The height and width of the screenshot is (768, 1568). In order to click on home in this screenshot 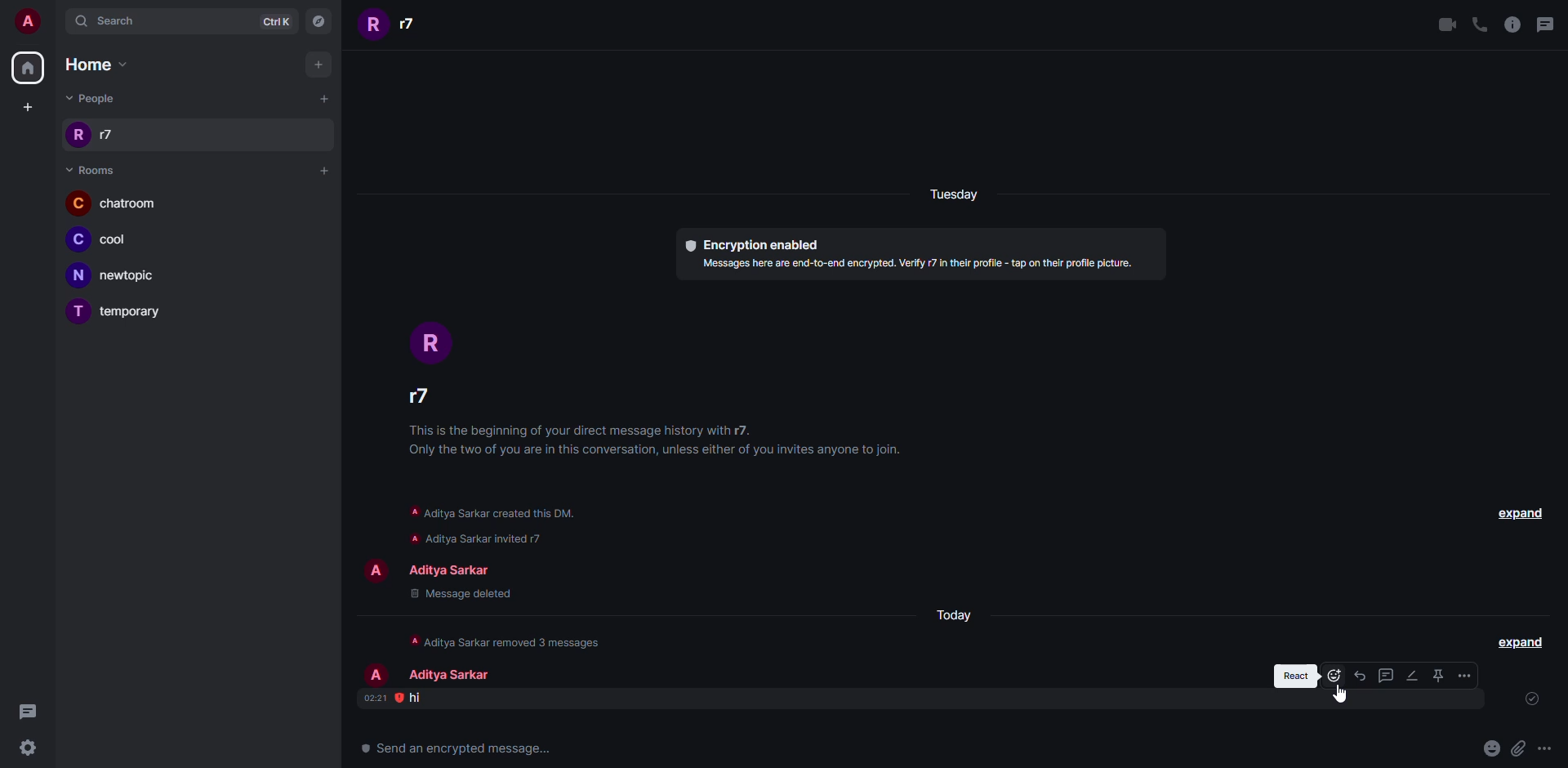, I will do `click(105, 66)`.